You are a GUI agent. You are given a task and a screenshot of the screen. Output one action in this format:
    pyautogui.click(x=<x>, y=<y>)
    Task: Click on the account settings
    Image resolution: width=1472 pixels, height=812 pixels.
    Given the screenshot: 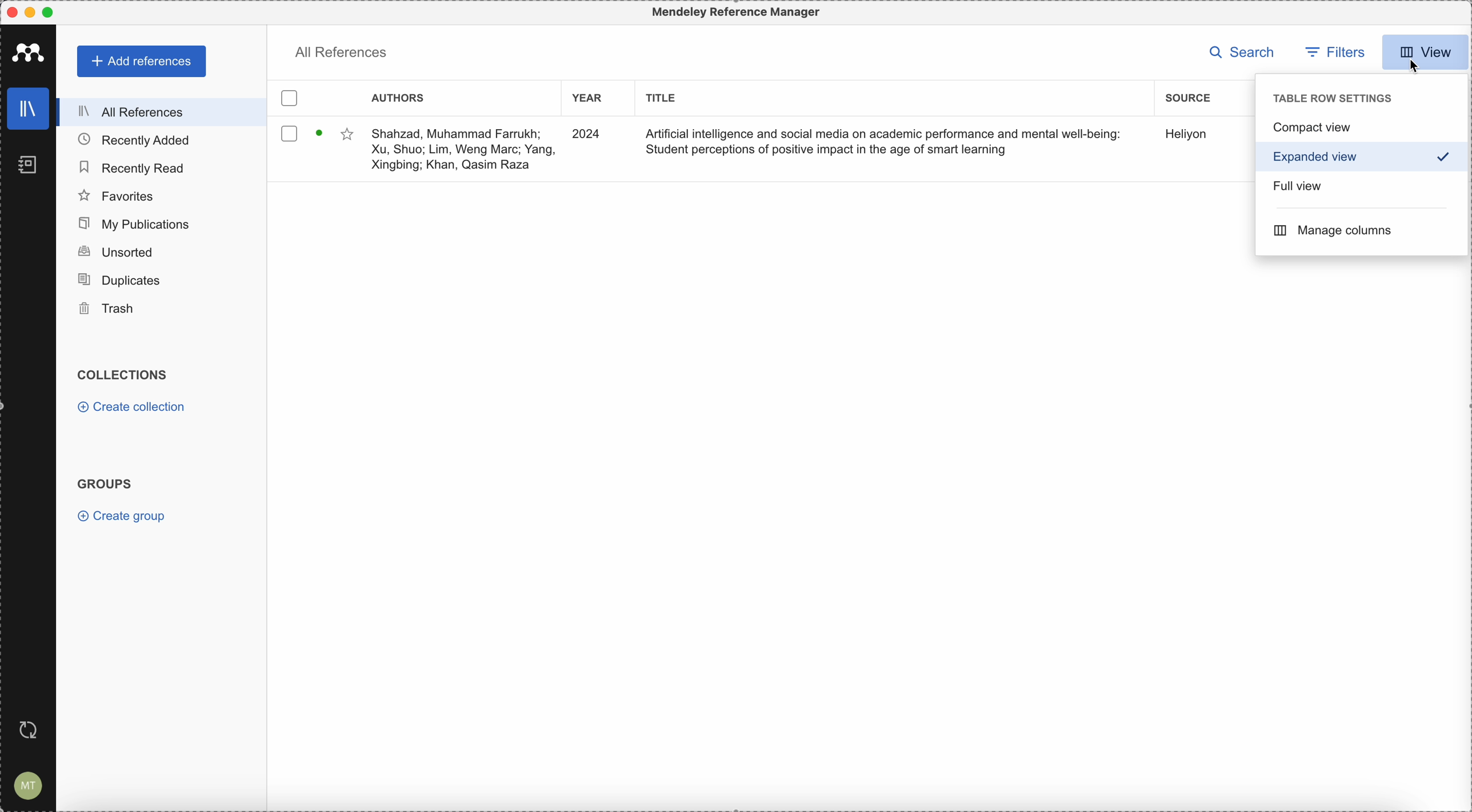 What is the action you would take?
    pyautogui.click(x=30, y=785)
    